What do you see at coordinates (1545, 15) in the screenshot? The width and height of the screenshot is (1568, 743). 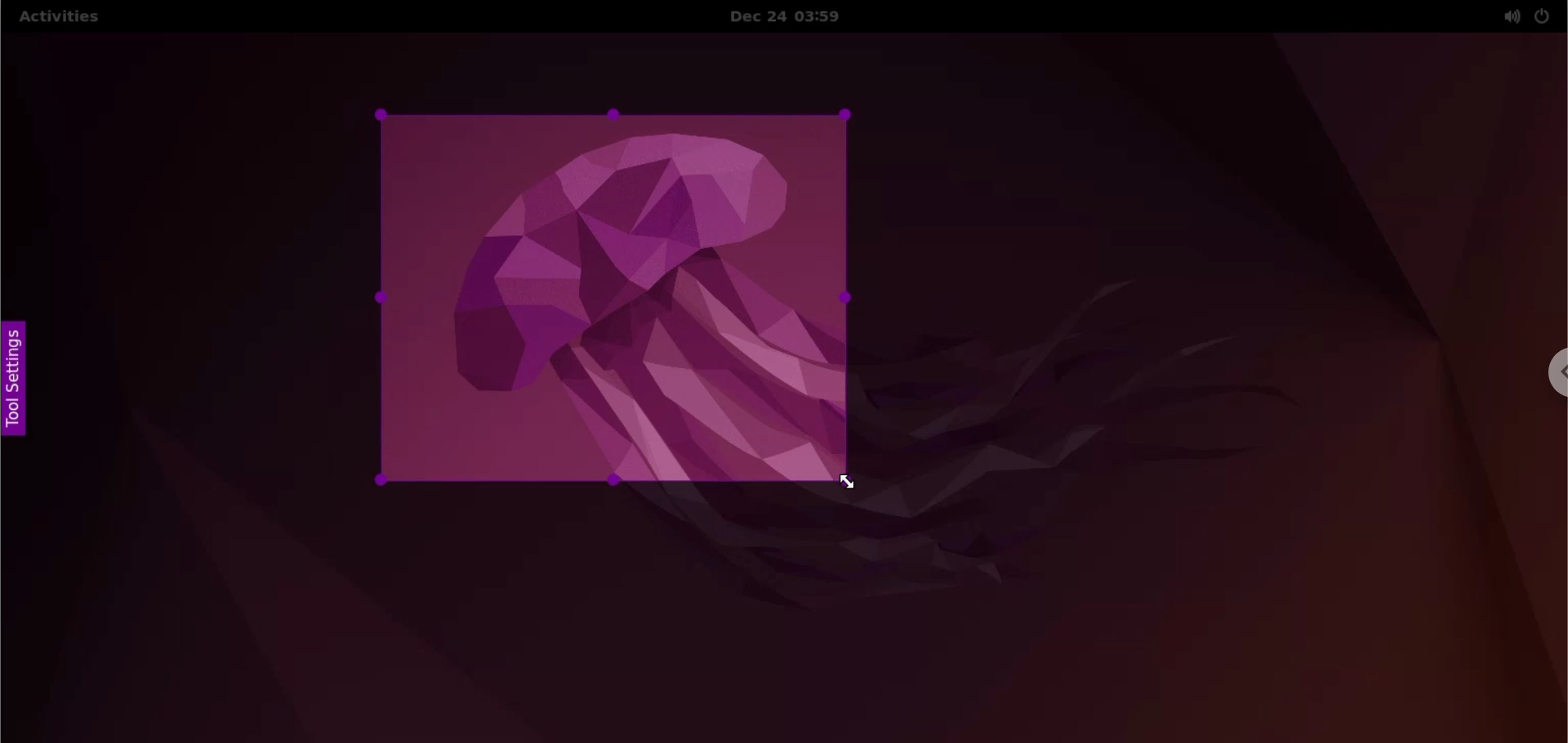 I see `power options ` at bounding box center [1545, 15].